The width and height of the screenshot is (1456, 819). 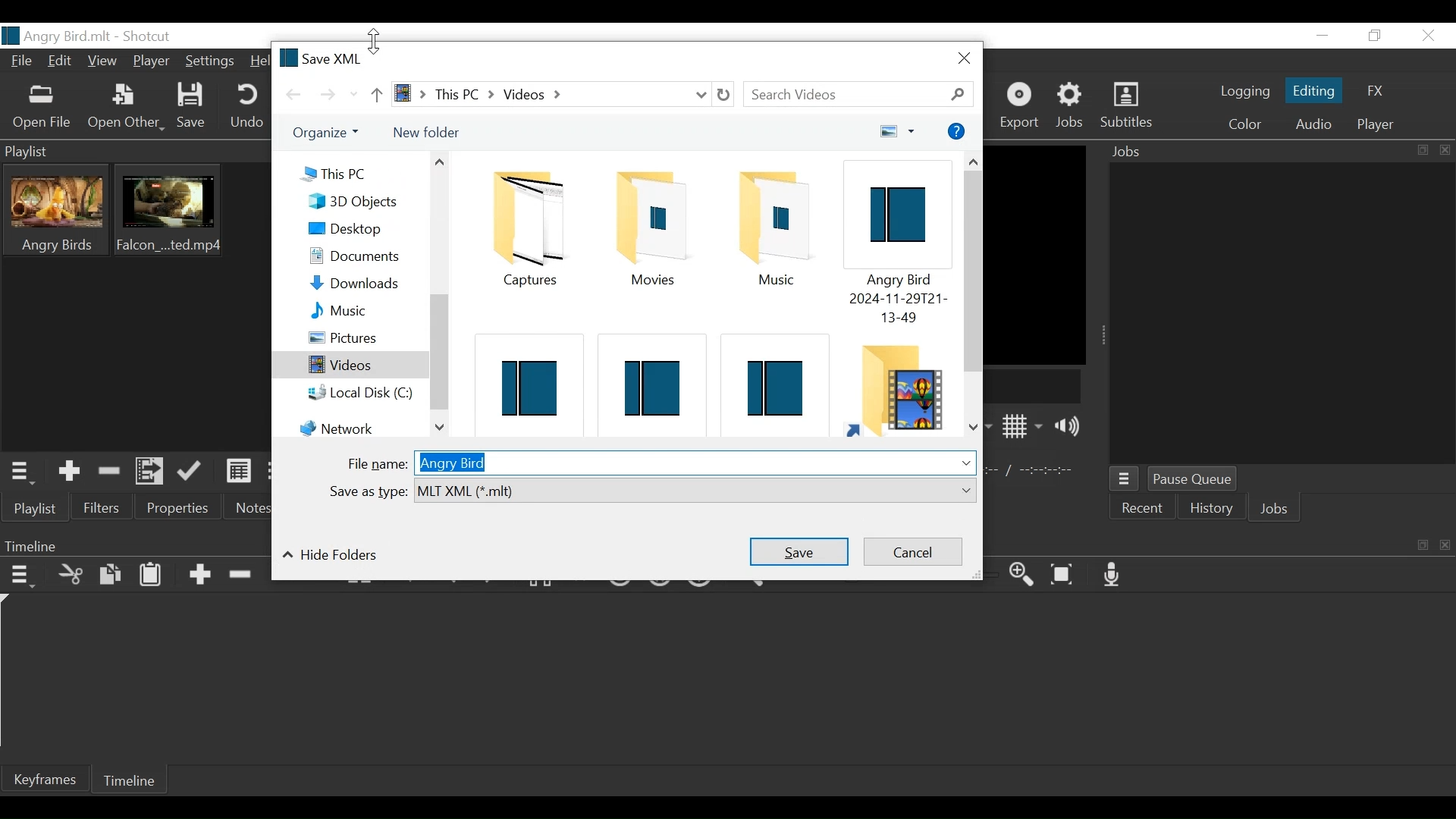 I want to click on Folder, so click(x=897, y=387).